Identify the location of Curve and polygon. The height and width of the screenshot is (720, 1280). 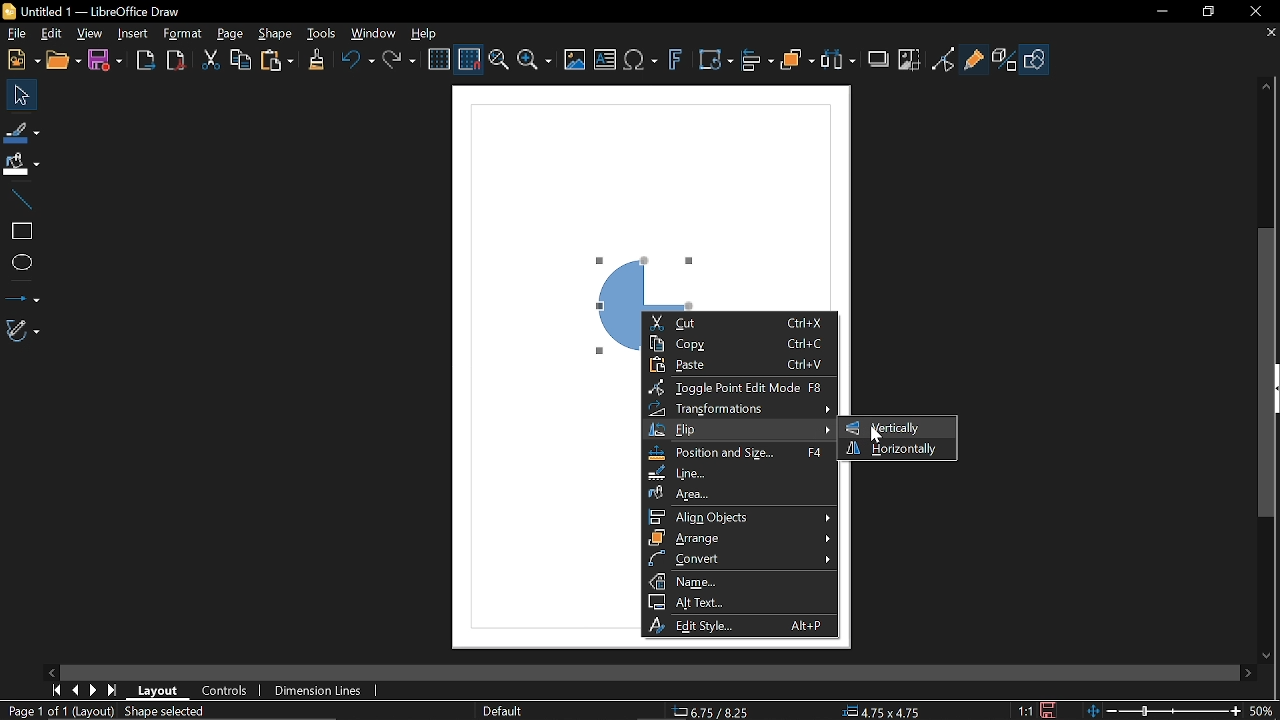
(24, 331).